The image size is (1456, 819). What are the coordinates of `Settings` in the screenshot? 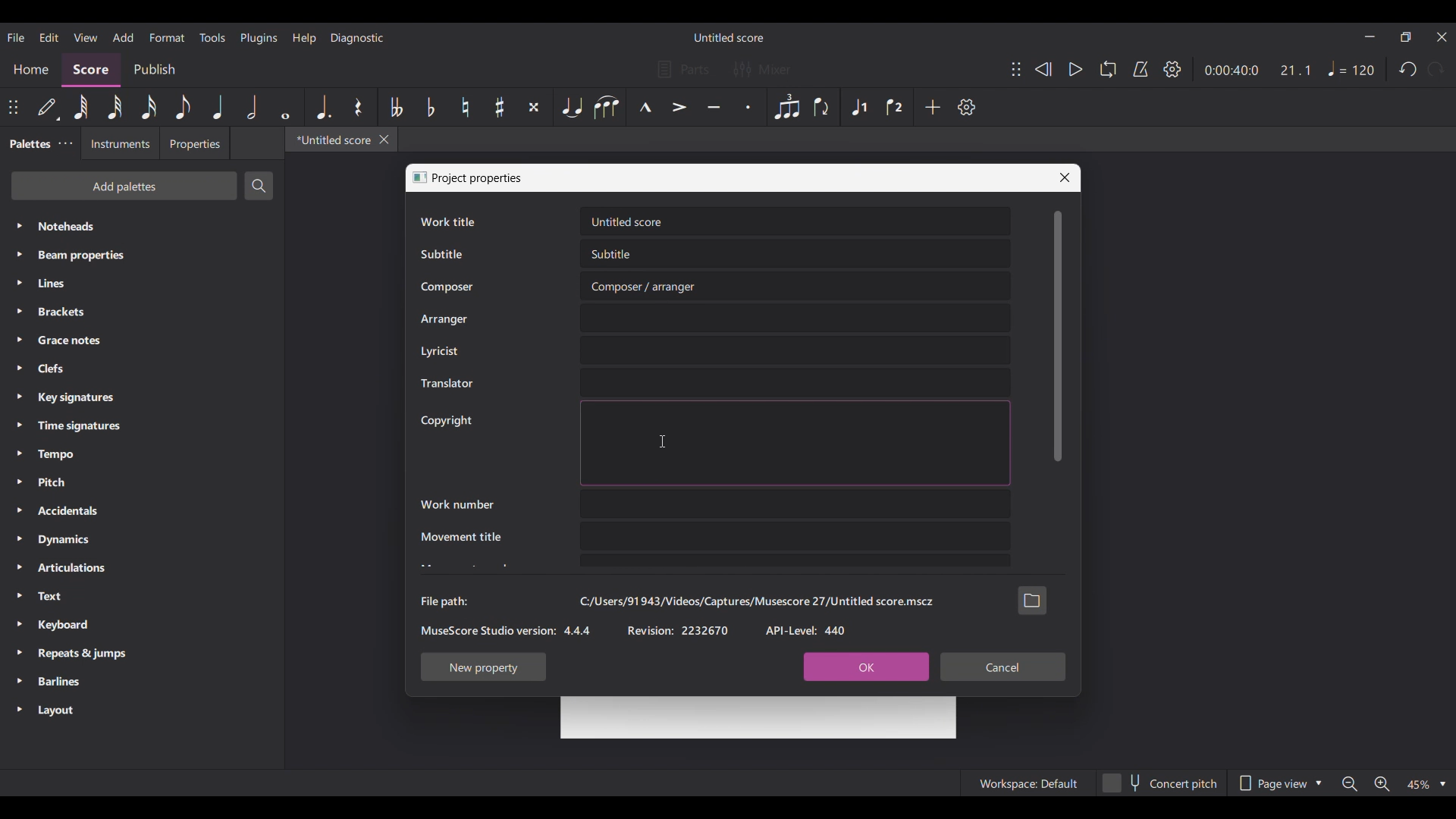 It's located at (1172, 69).